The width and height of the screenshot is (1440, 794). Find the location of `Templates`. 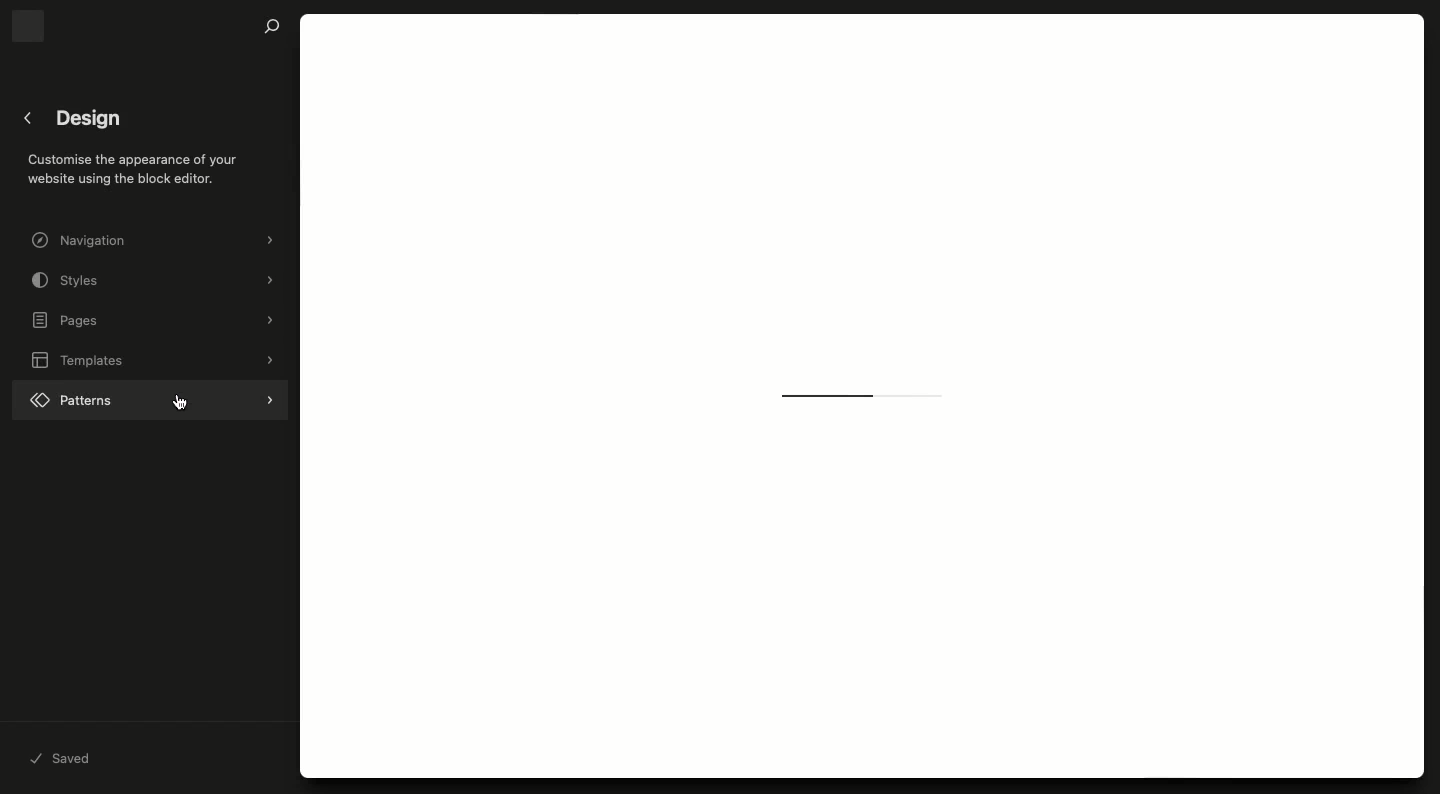

Templates is located at coordinates (155, 360).